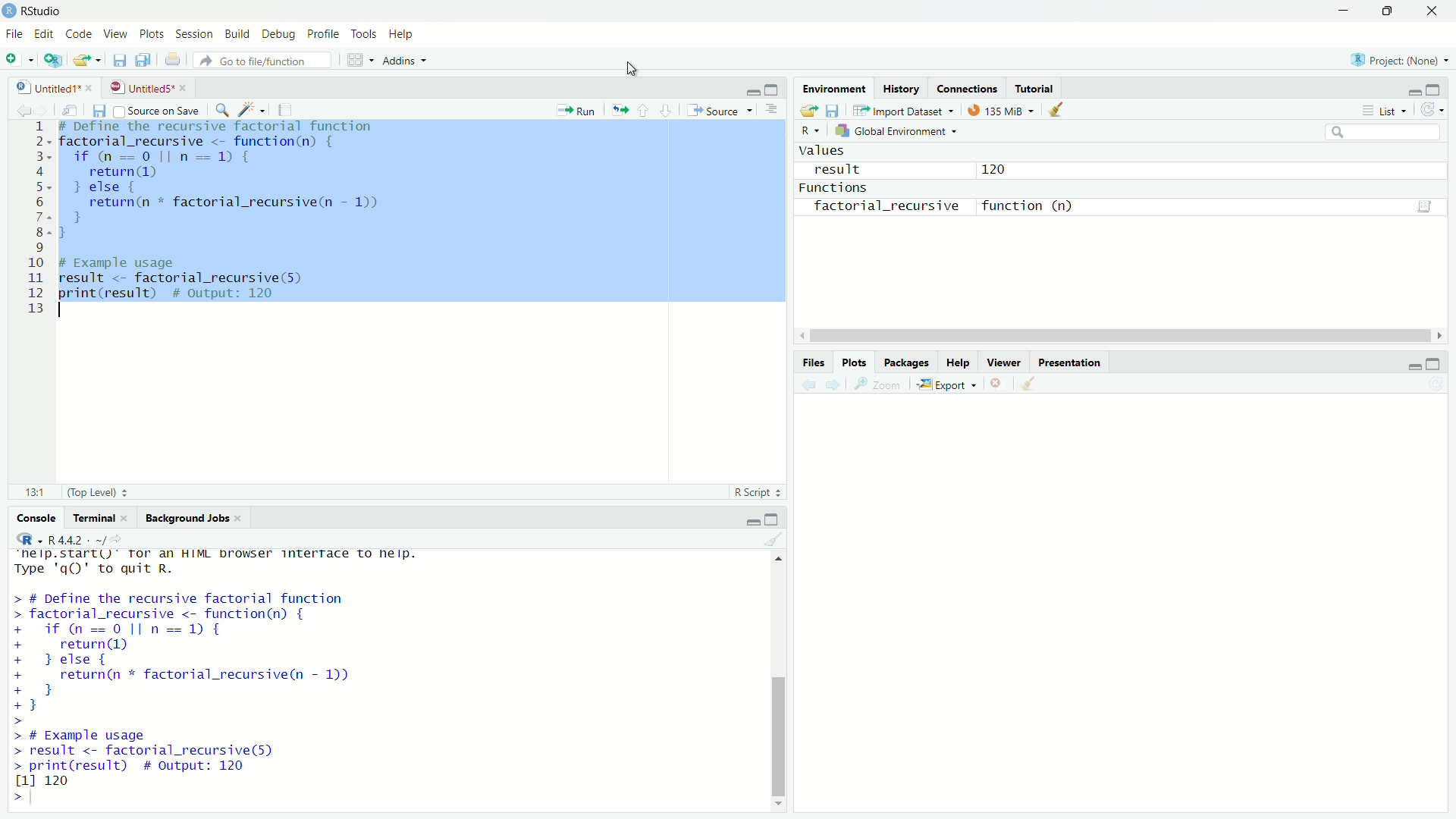 This screenshot has width=1456, height=819. I want to click on Go back to the previous source location (Ctrl + F9), so click(22, 108).